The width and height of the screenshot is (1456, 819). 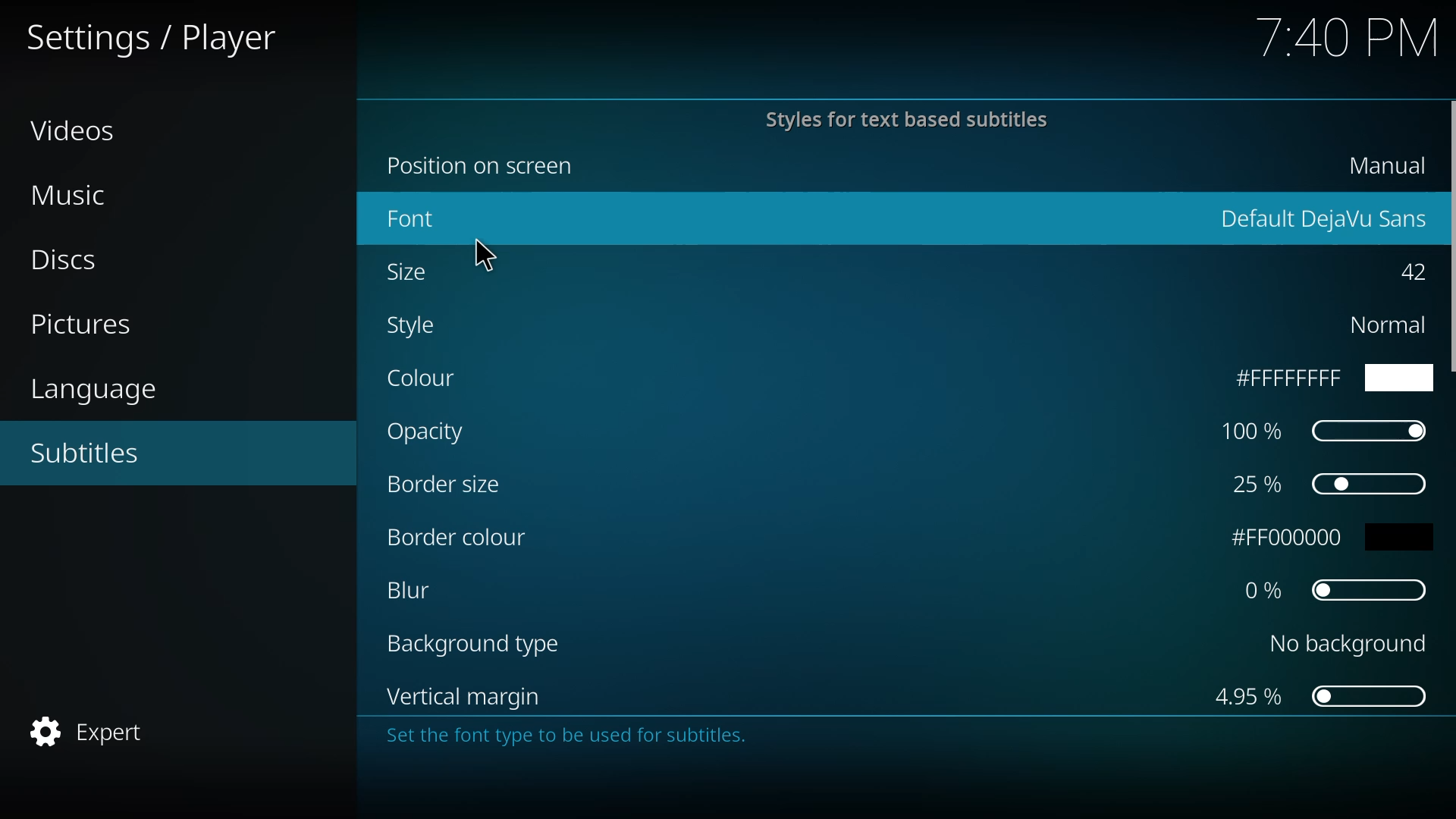 What do you see at coordinates (465, 695) in the screenshot?
I see `vertical margin` at bounding box center [465, 695].